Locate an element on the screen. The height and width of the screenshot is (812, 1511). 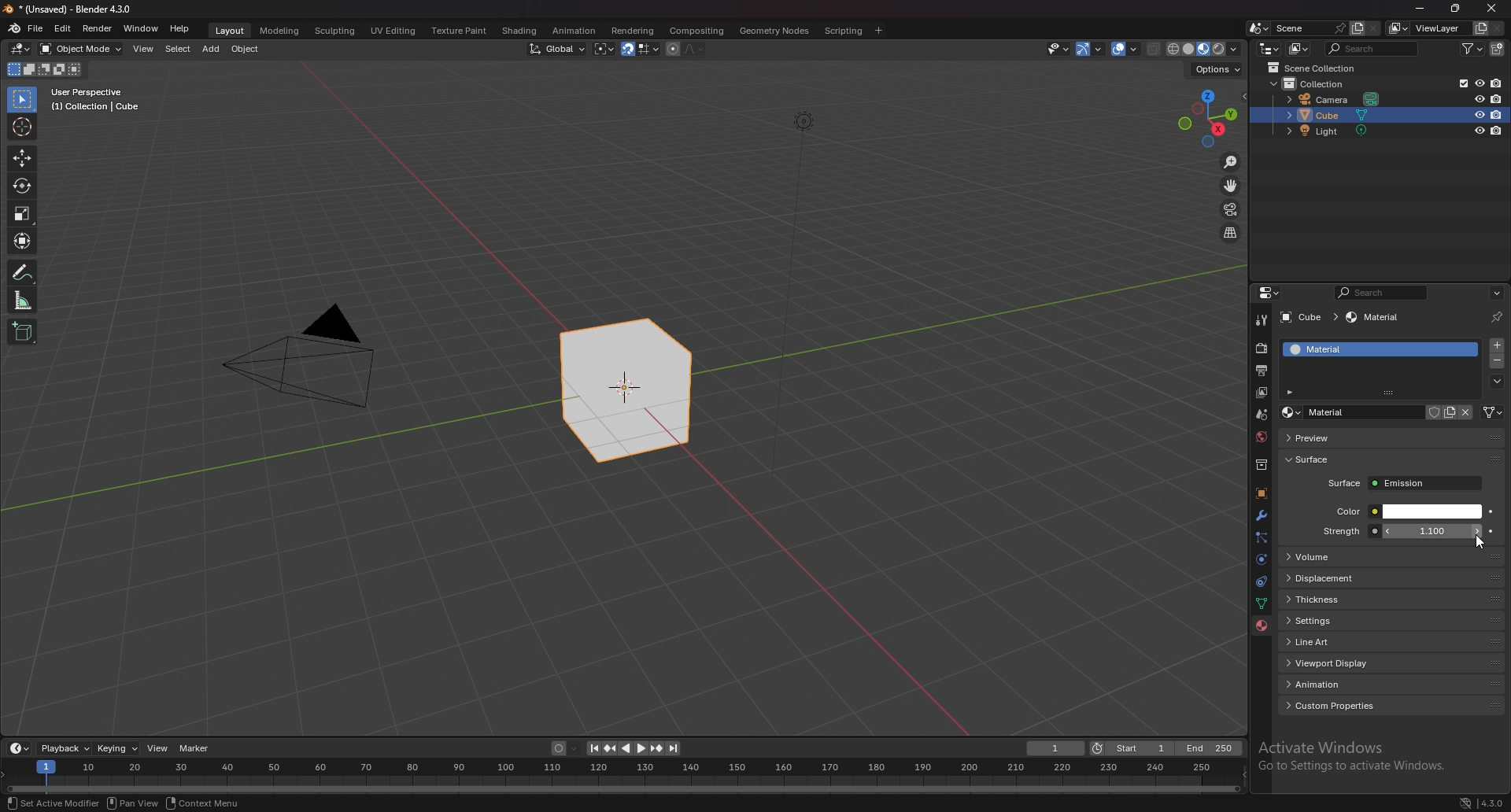
scripting is located at coordinates (844, 30).